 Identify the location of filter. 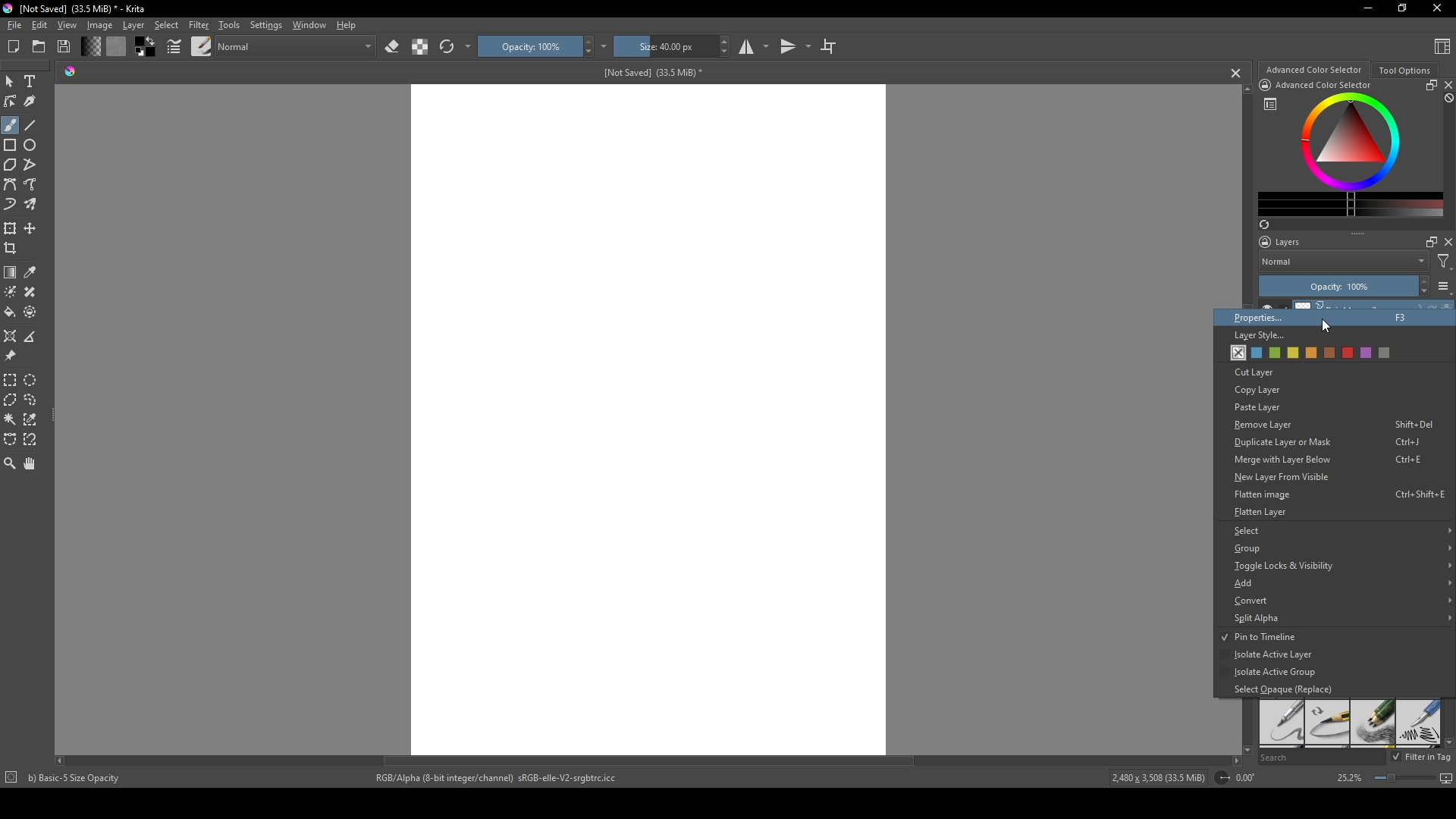
(1444, 262).